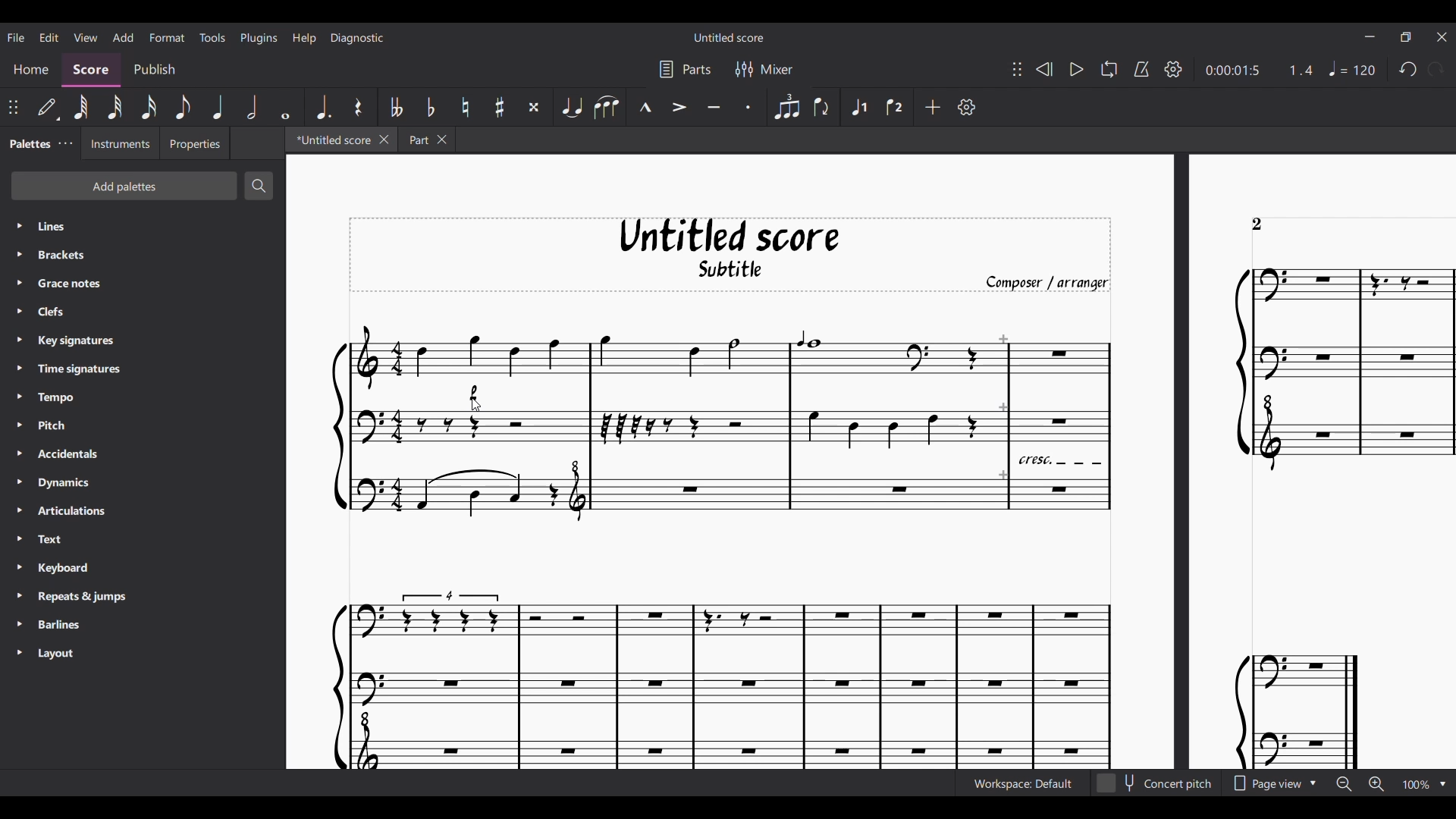 This screenshot has width=1456, height=819. What do you see at coordinates (33, 70) in the screenshot?
I see `Home section` at bounding box center [33, 70].